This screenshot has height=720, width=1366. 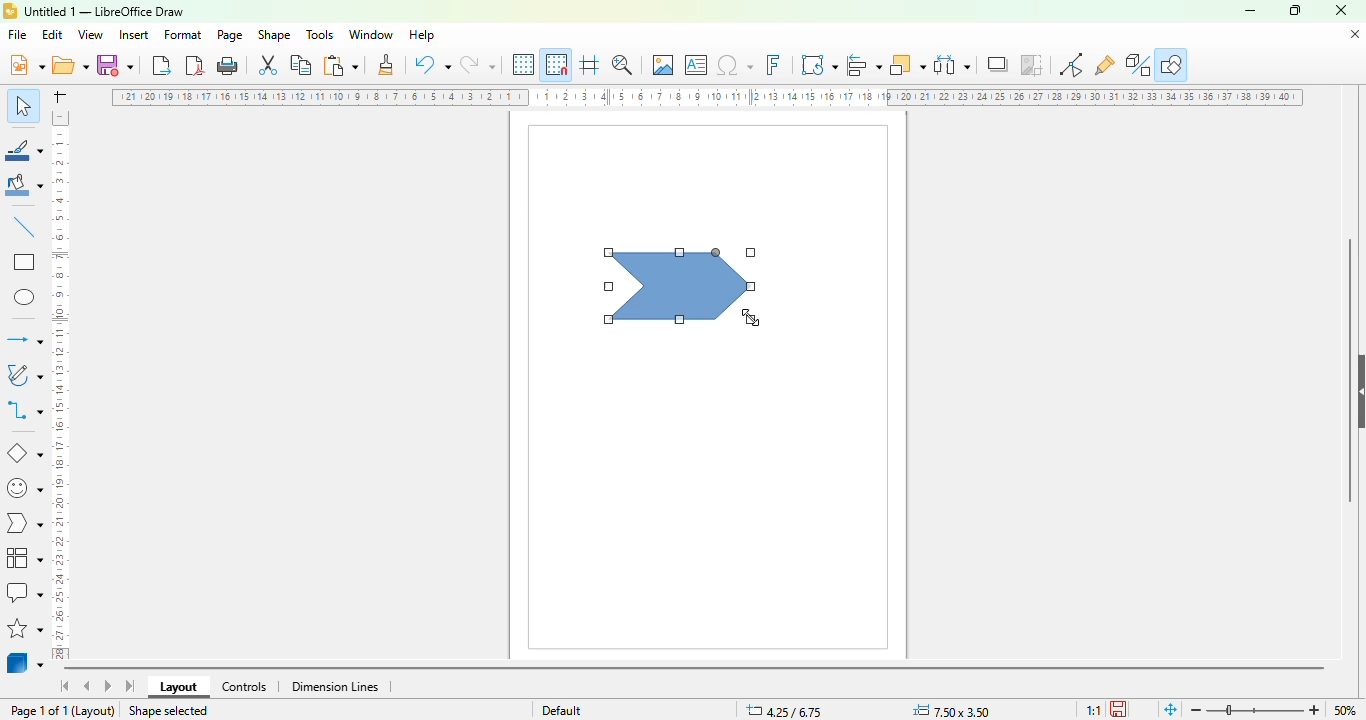 I want to click on vertical scroll bar, so click(x=1350, y=371).